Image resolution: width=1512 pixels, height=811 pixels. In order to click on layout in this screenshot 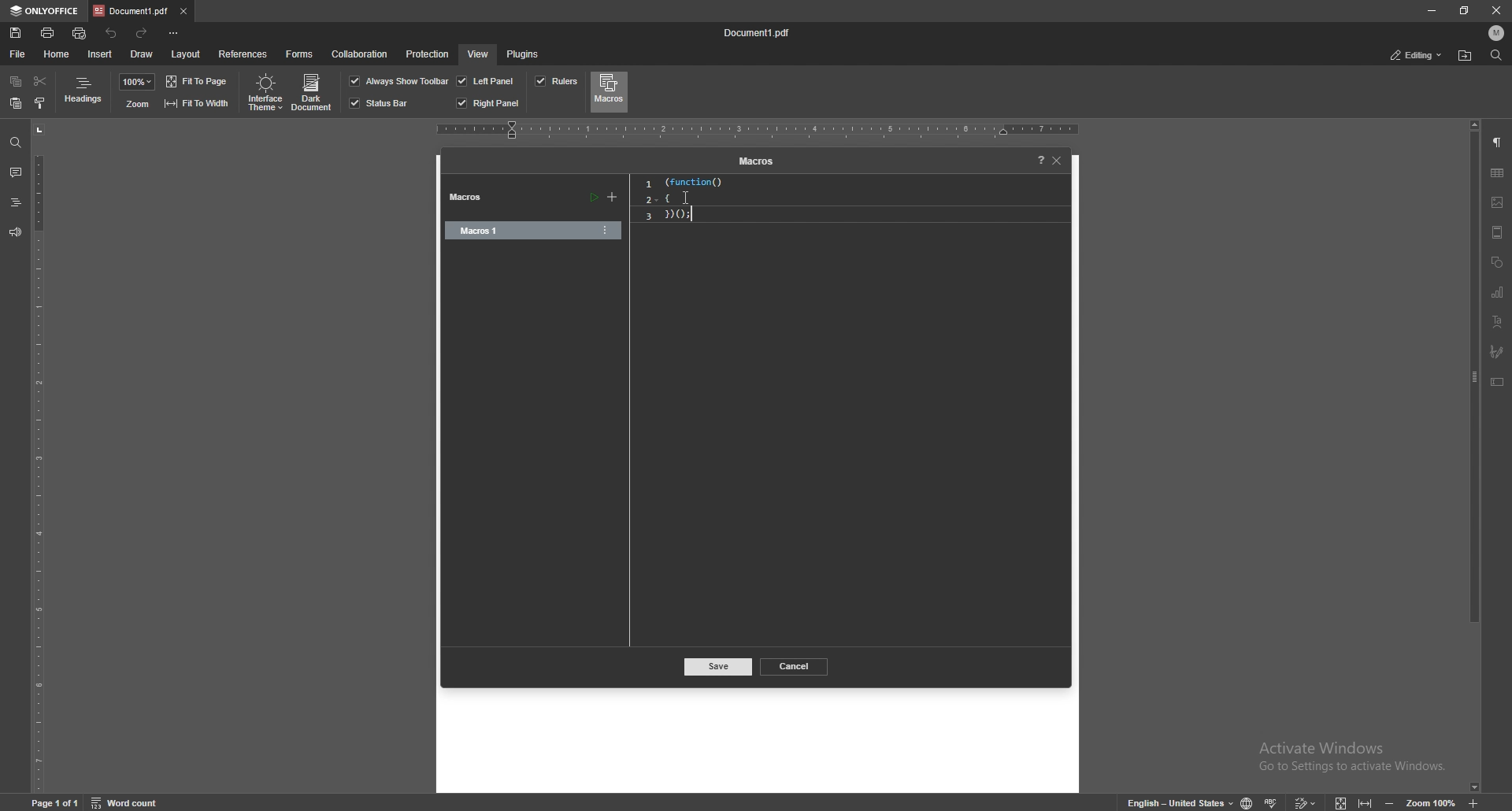, I will do `click(185, 54)`.